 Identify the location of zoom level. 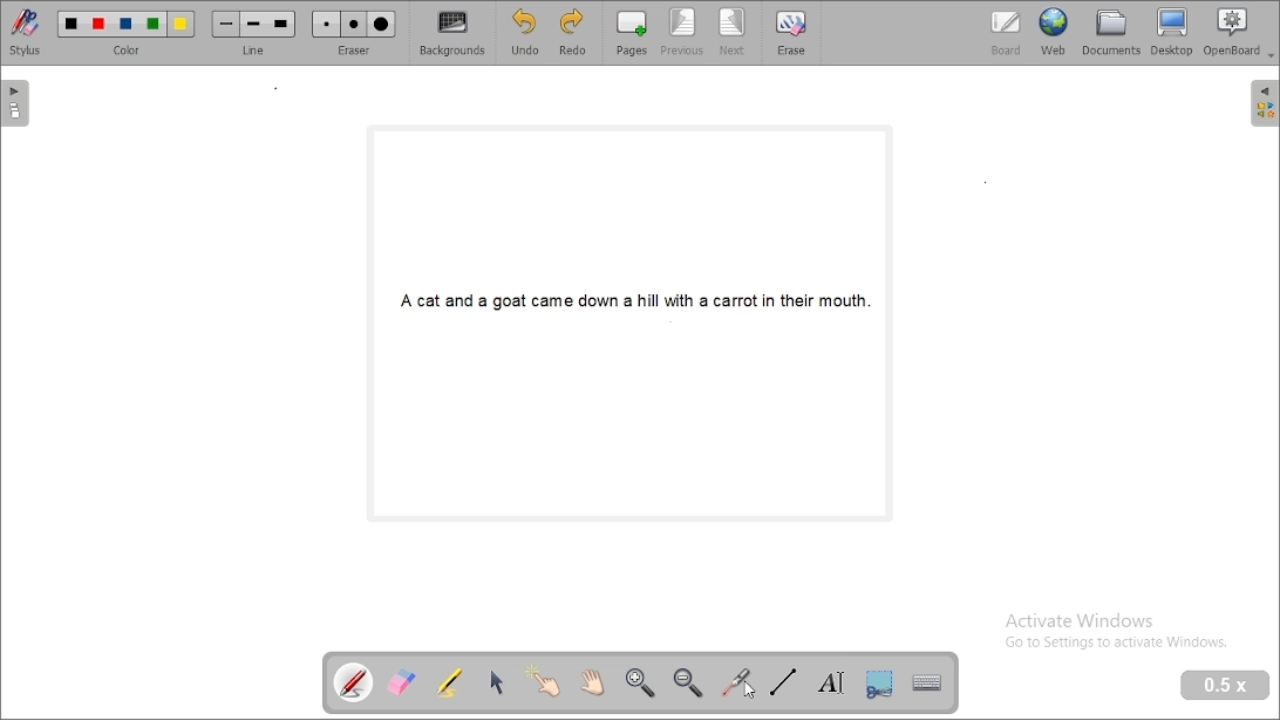
(1226, 686).